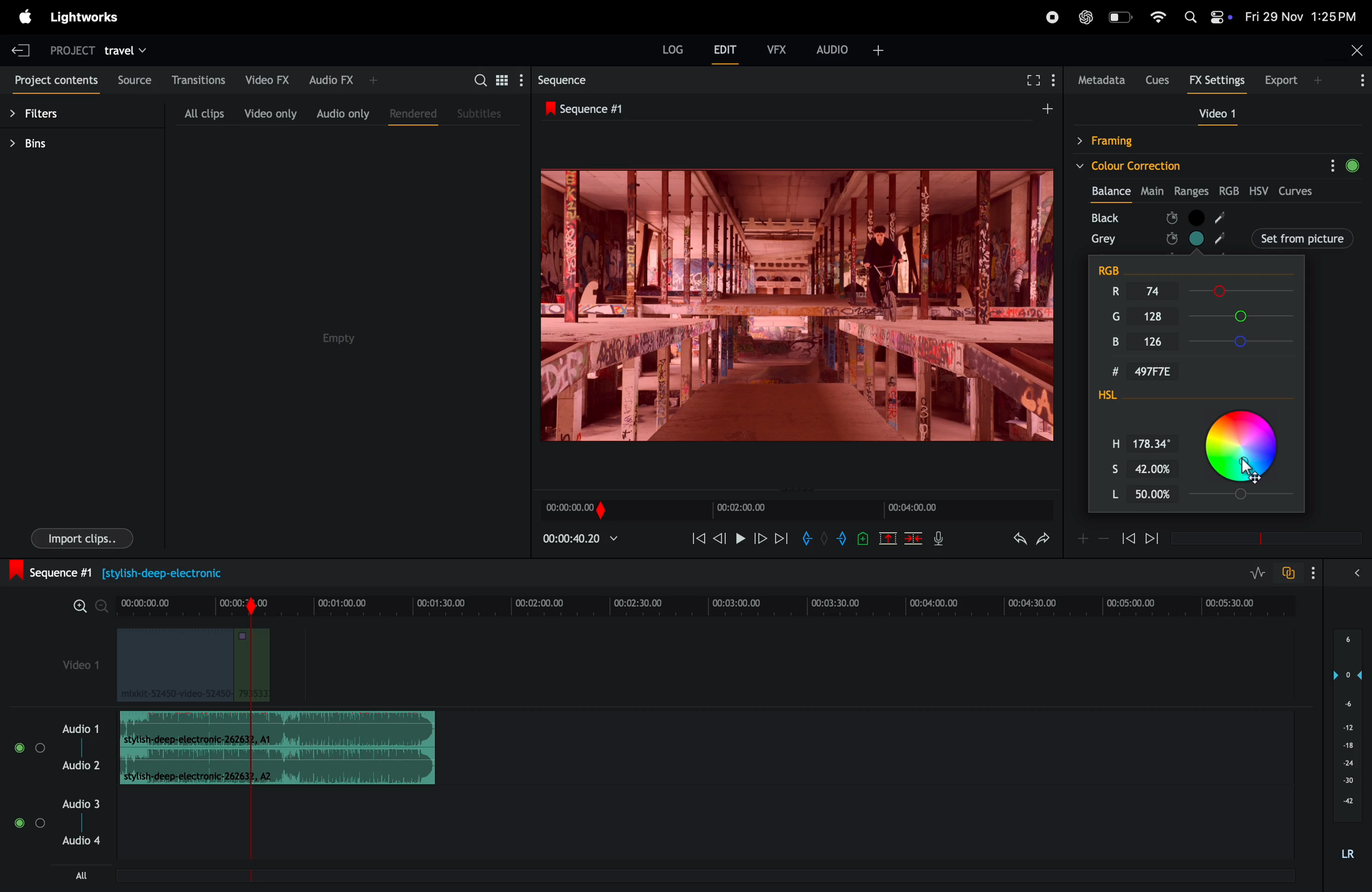 Image resolution: width=1372 pixels, height=892 pixels. I want to click on toggle between list view, so click(504, 80).